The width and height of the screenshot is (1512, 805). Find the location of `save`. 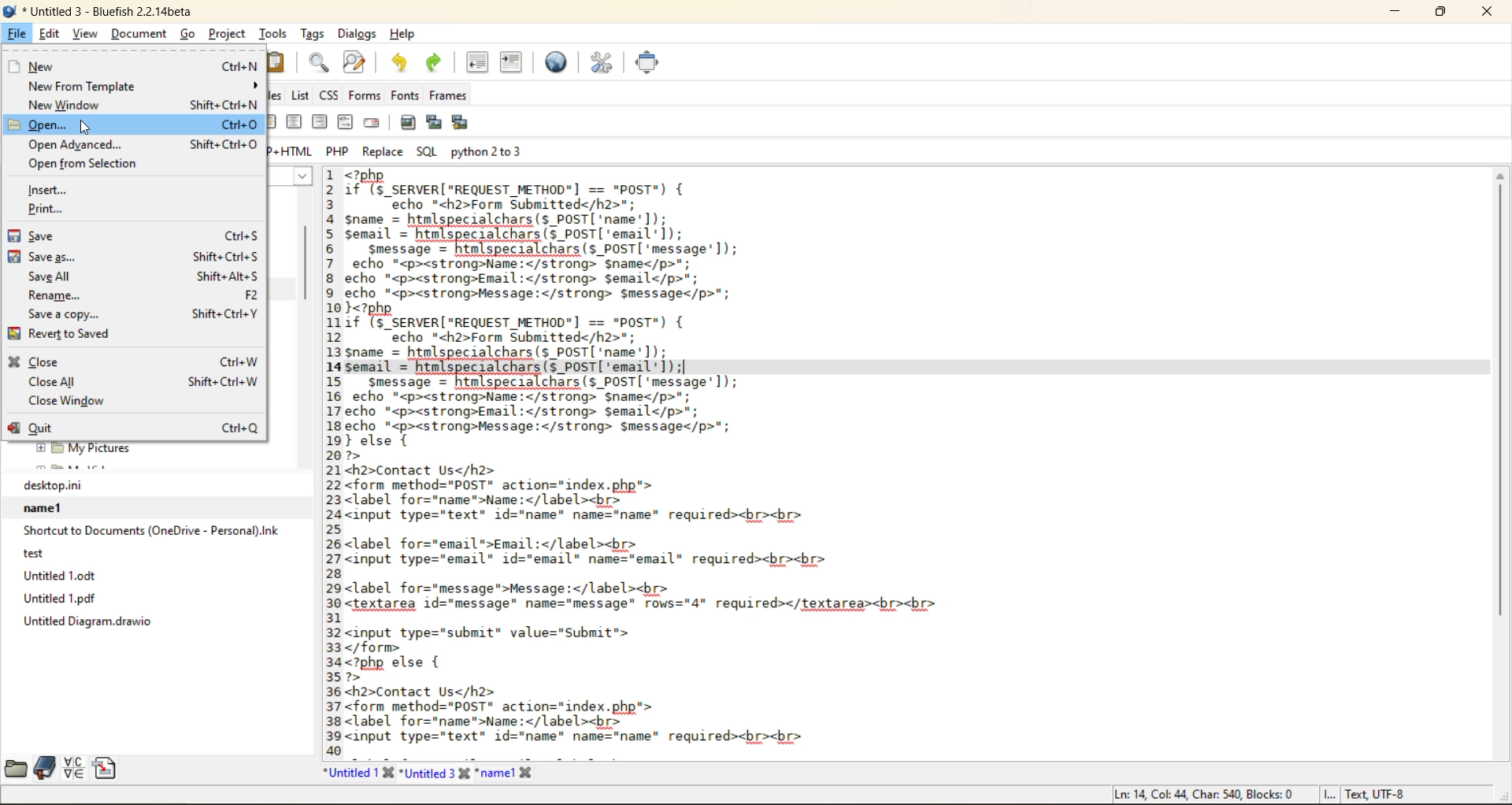

save is located at coordinates (132, 236).